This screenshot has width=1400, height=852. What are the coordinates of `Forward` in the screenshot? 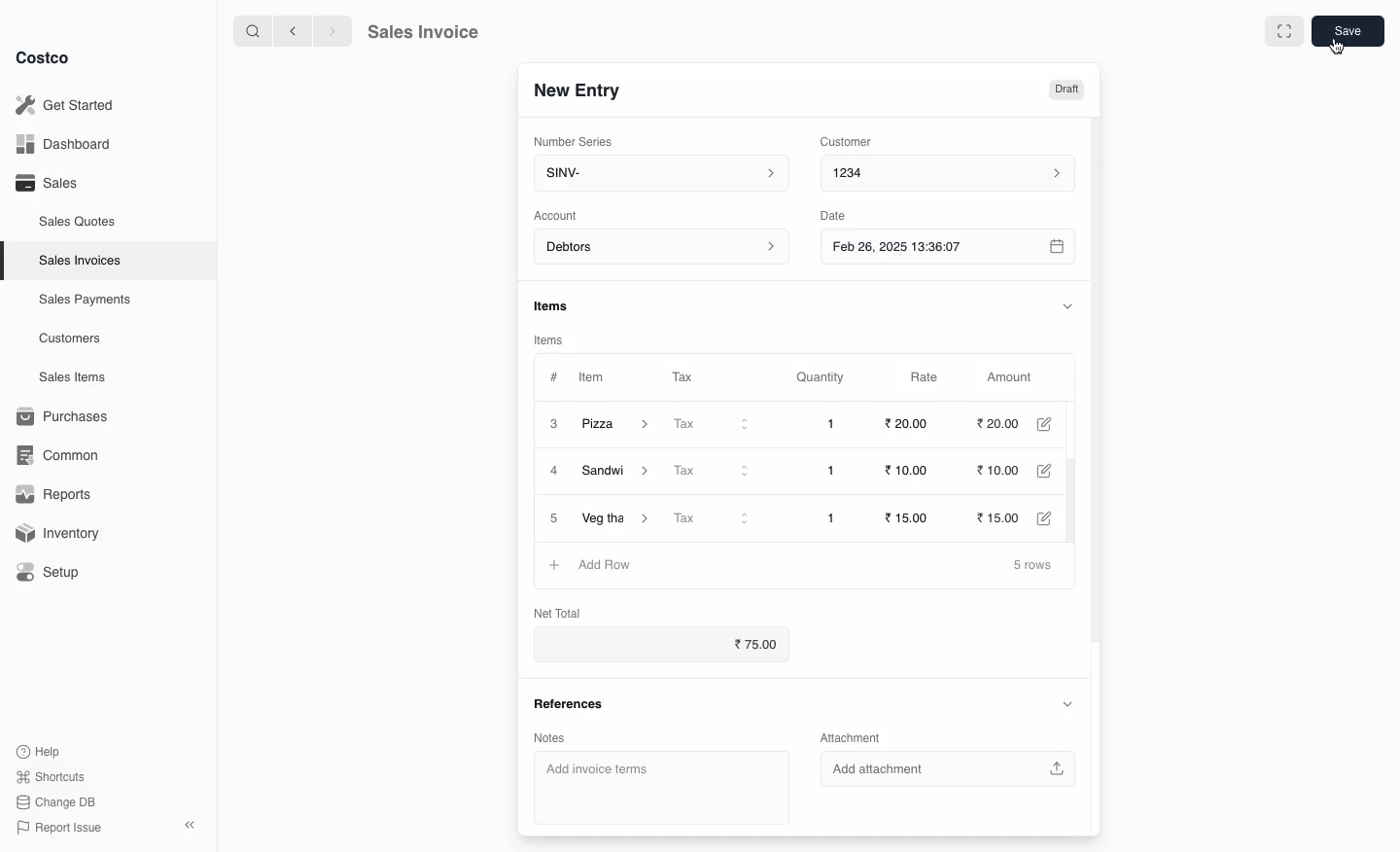 It's located at (332, 32).